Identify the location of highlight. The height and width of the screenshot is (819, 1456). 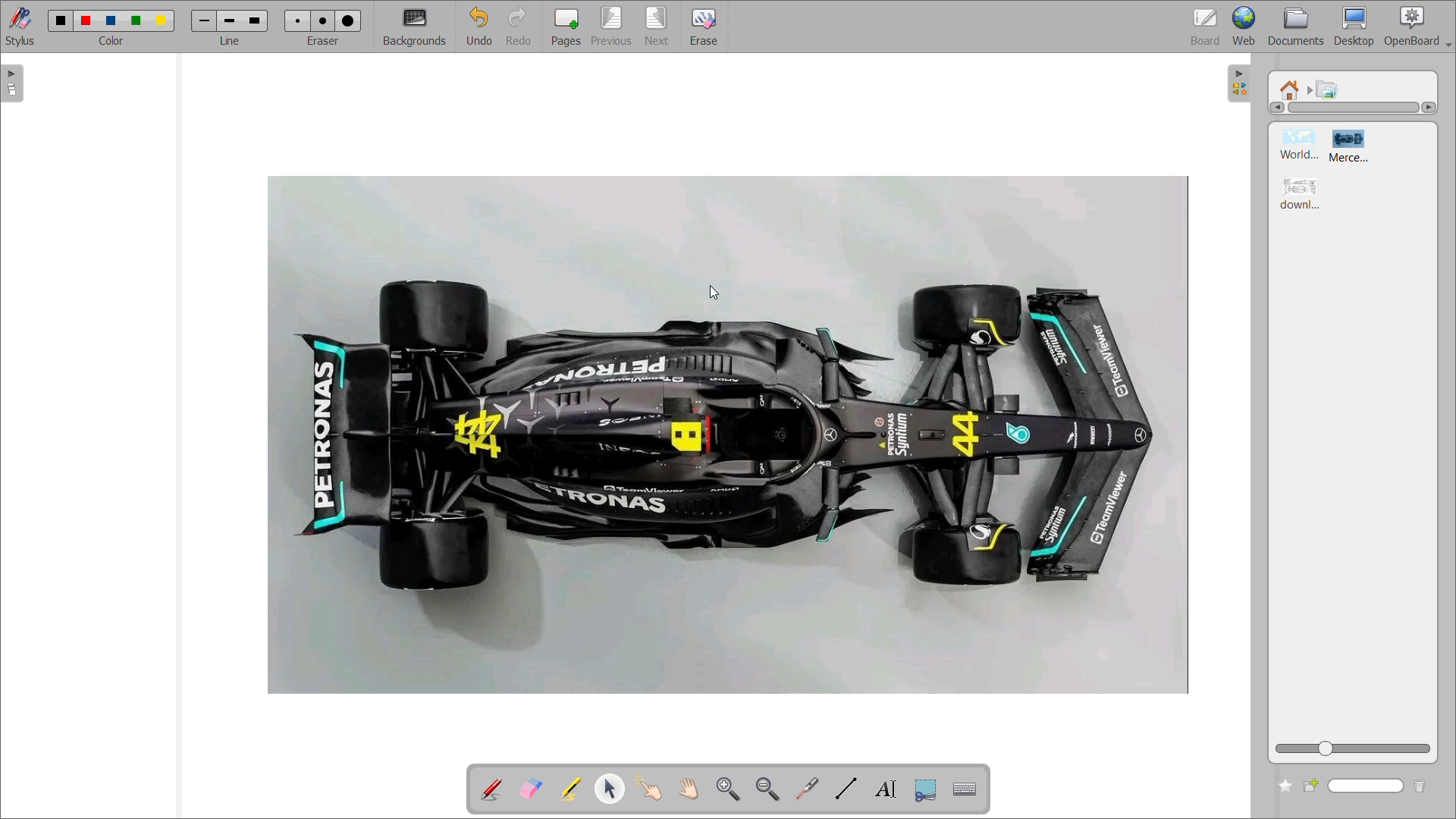
(572, 789).